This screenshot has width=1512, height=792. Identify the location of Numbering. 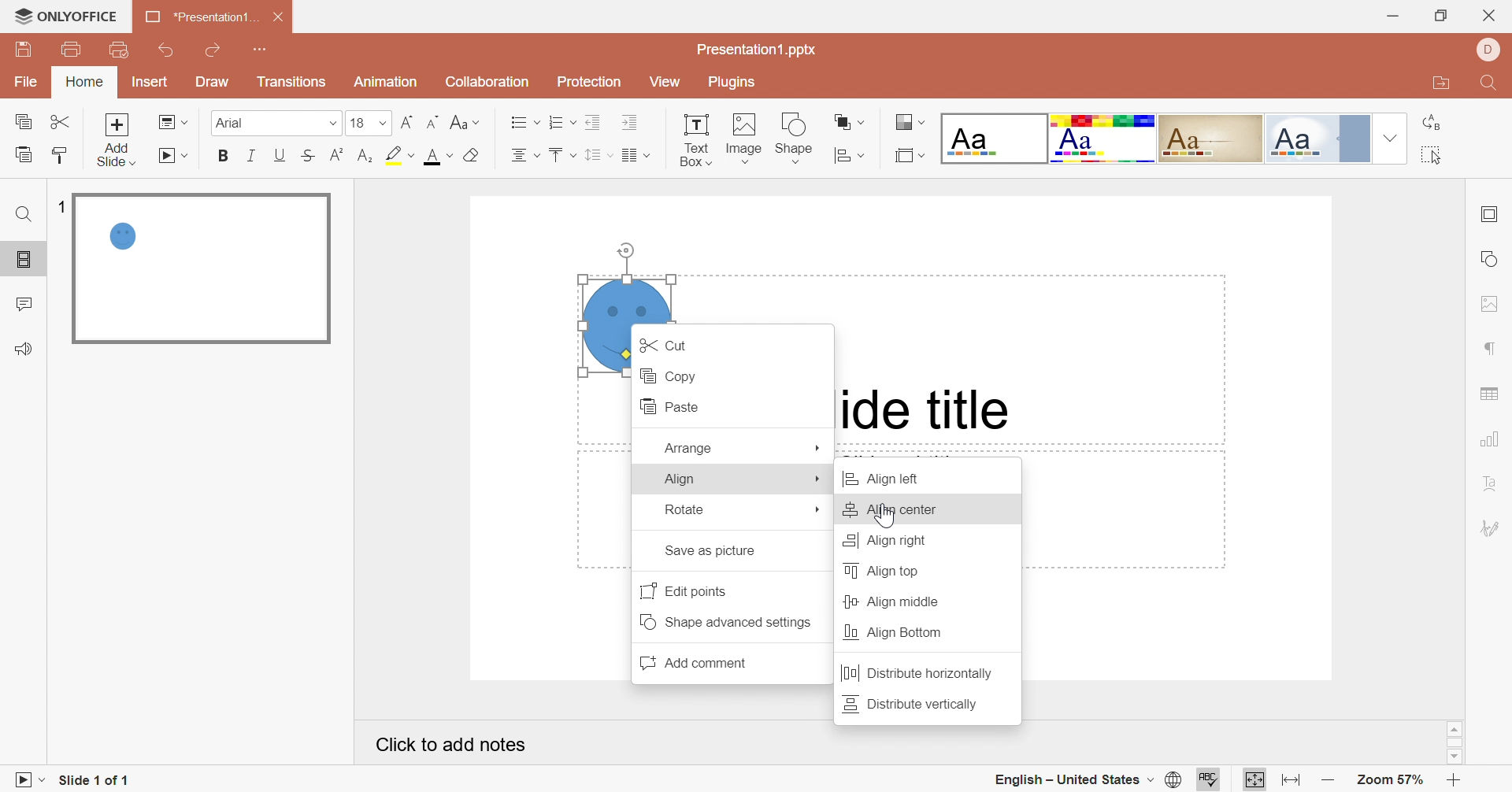
(561, 124).